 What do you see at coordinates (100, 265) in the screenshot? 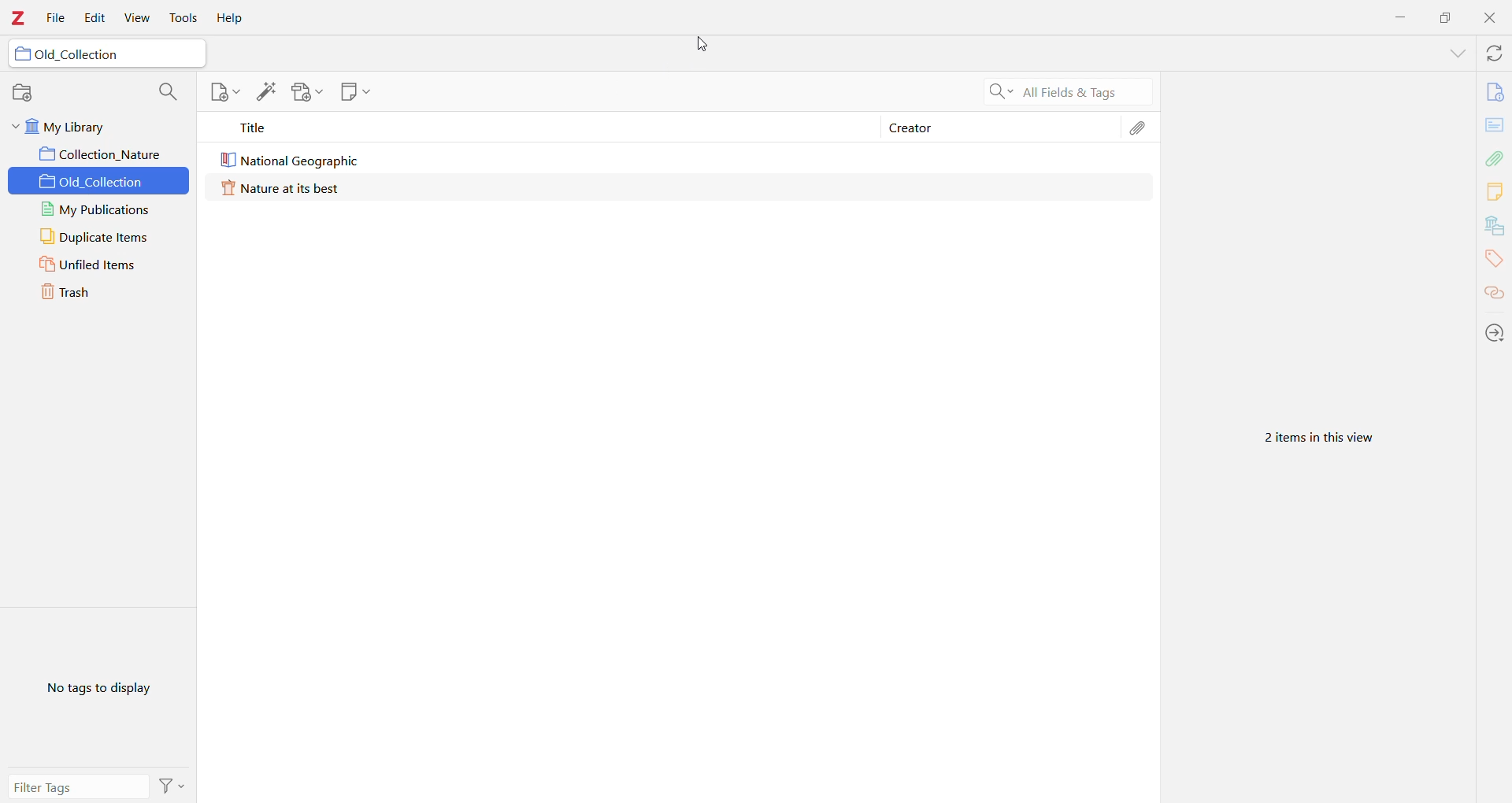
I see `Unfiled Items` at bounding box center [100, 265].